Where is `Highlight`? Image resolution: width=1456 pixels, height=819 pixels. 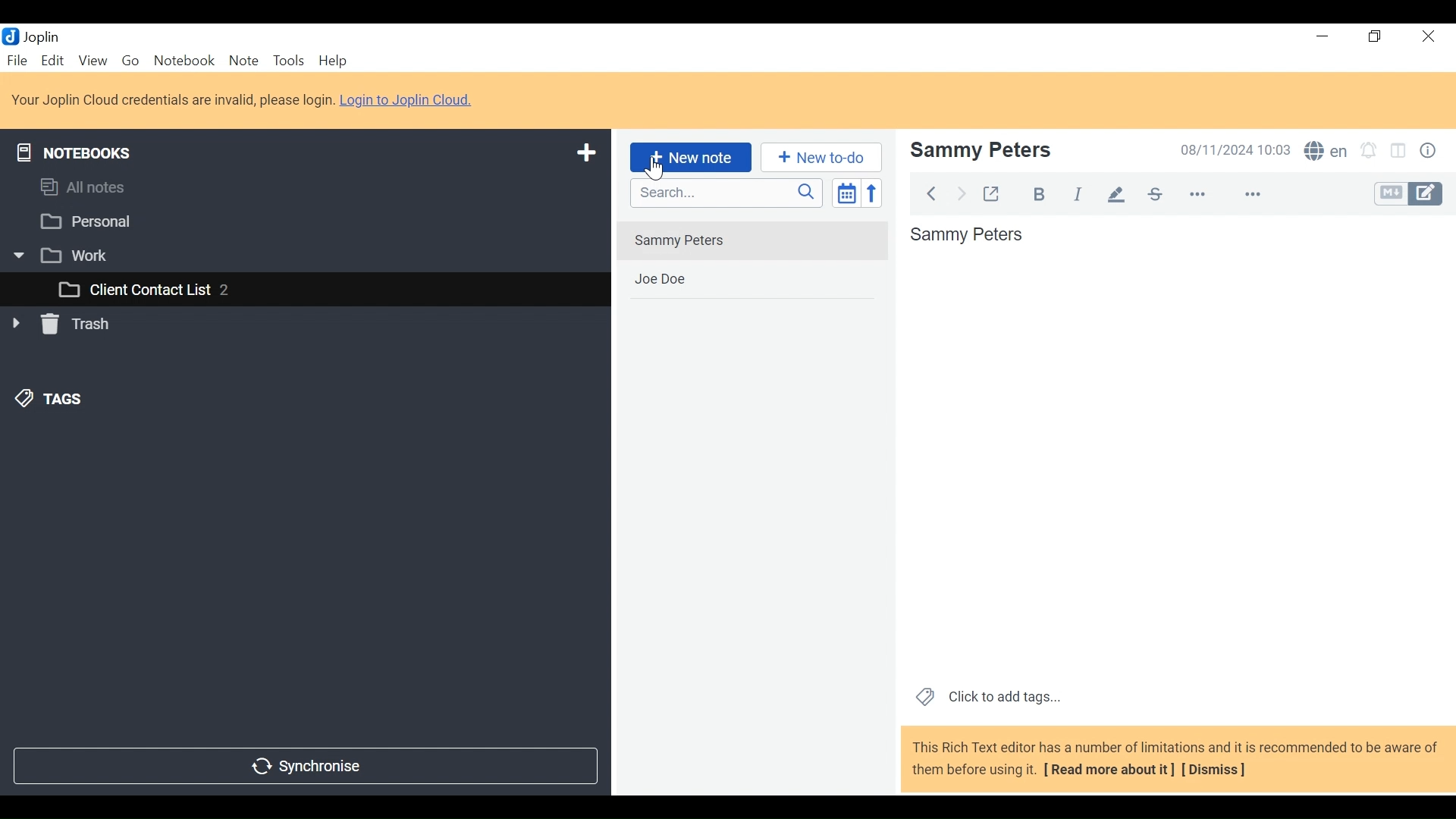
Highlight is located at coordinates (1117, 196).